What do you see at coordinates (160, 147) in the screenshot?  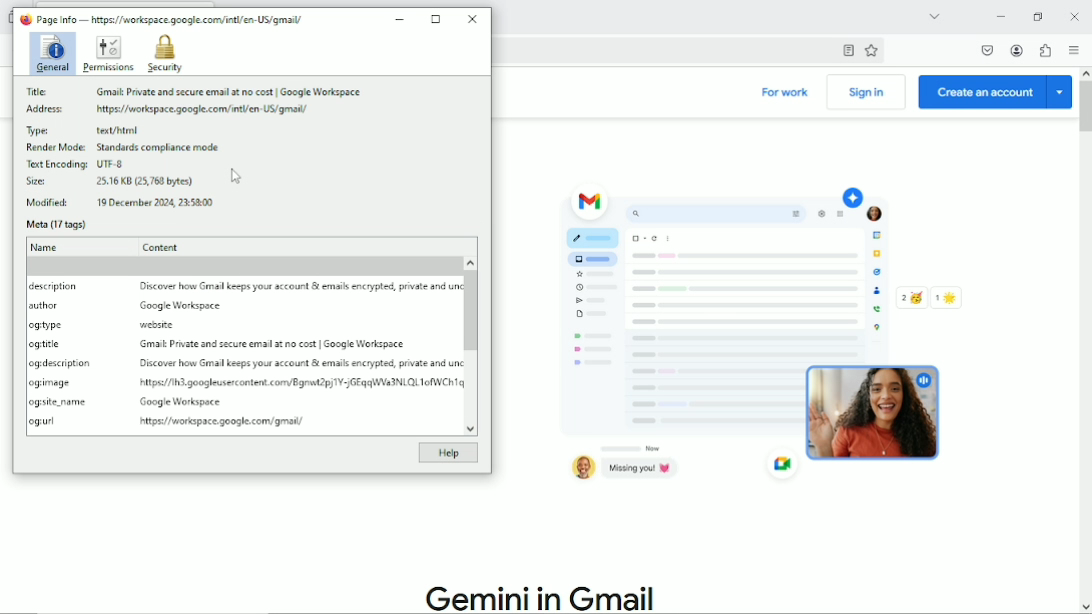 I see `Standards compliance mode` at bounding box center [160, 147].